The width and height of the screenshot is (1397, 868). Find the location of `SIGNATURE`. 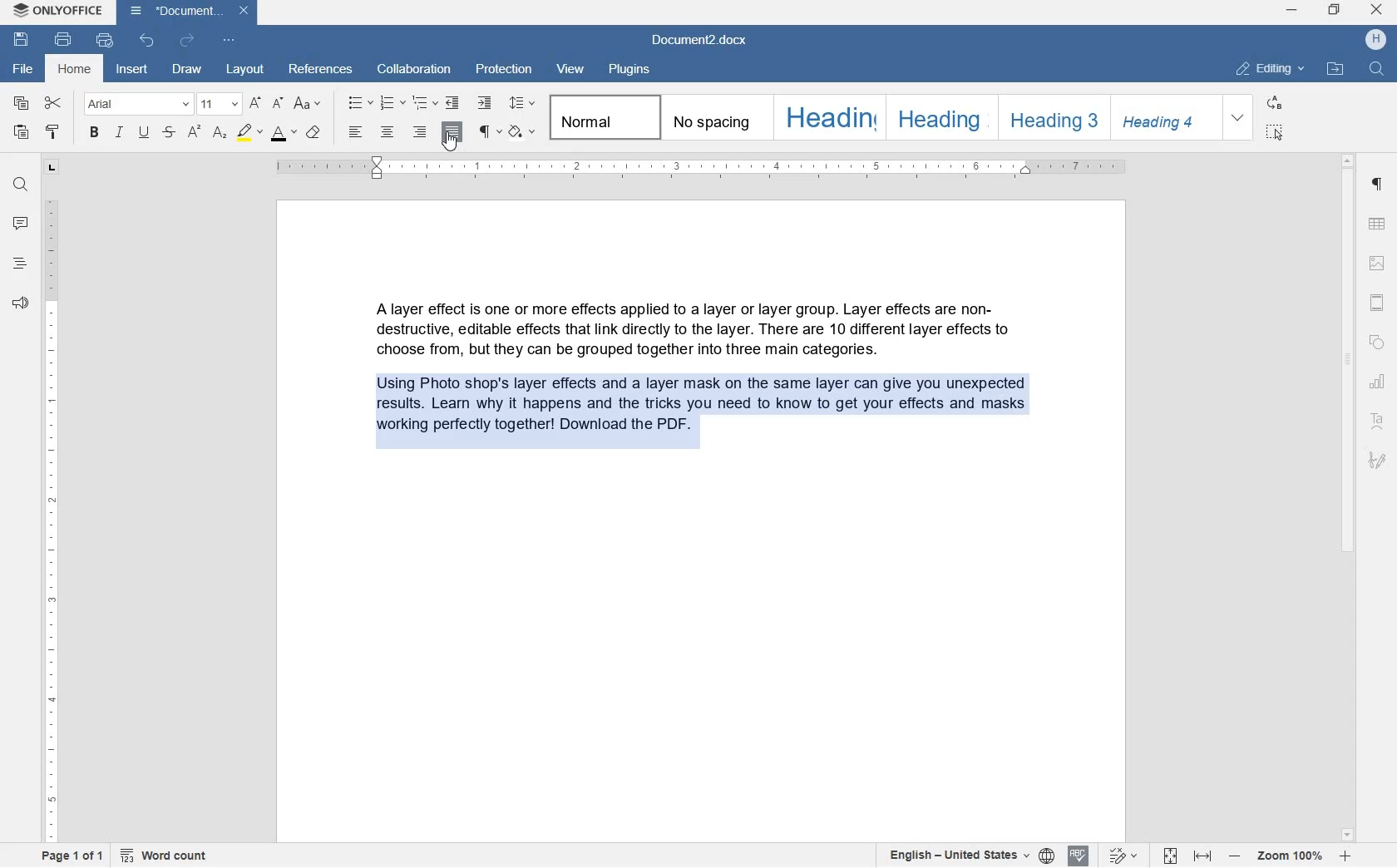

SIGNATURE is located at coordinates (1379, 457).